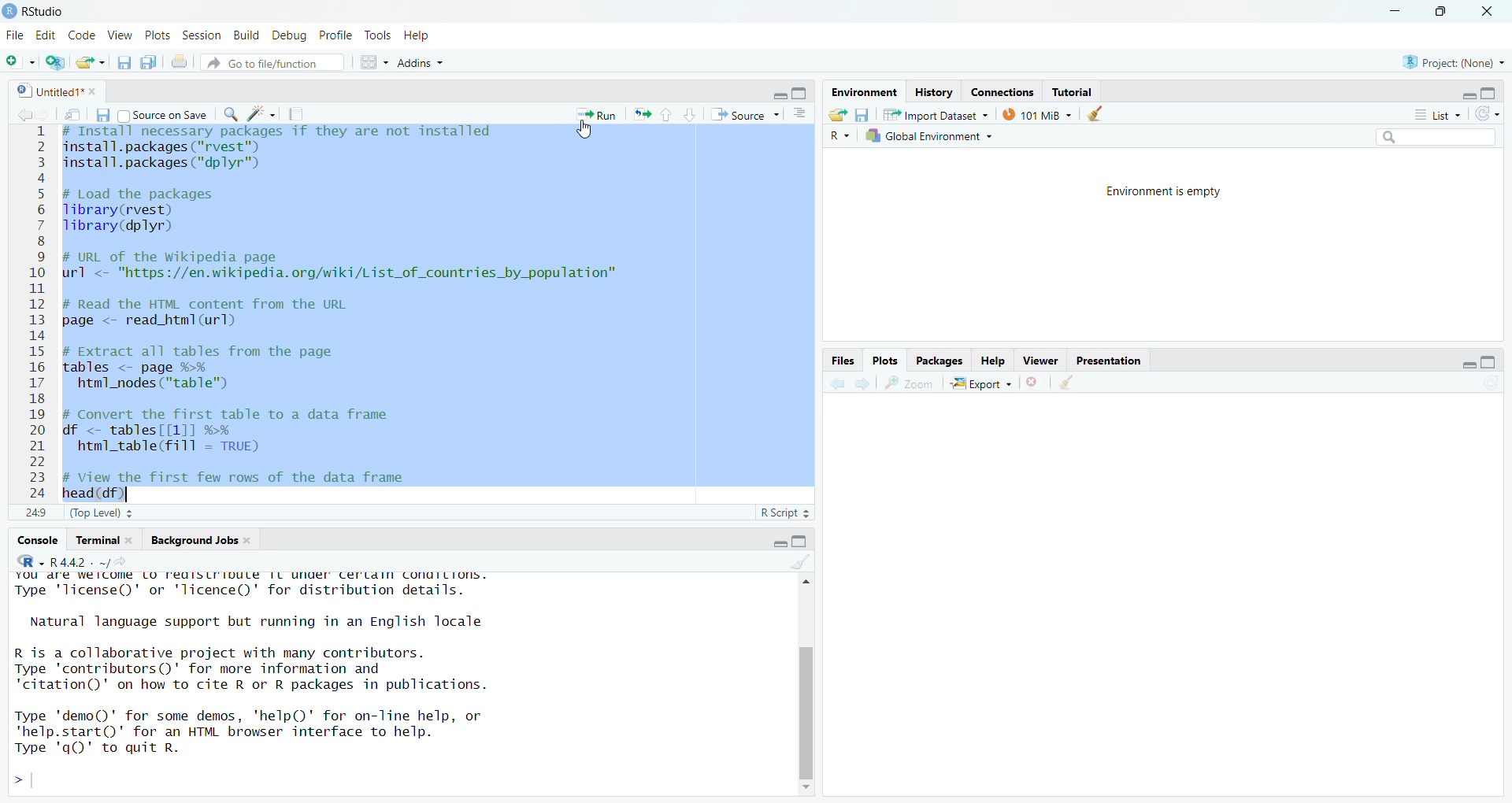 The height and width of the screenshot is (803, 1512). What do you see at coordinates (779, 542) in the screenshot?
I see `minimize` at bounding box center [779, 542].